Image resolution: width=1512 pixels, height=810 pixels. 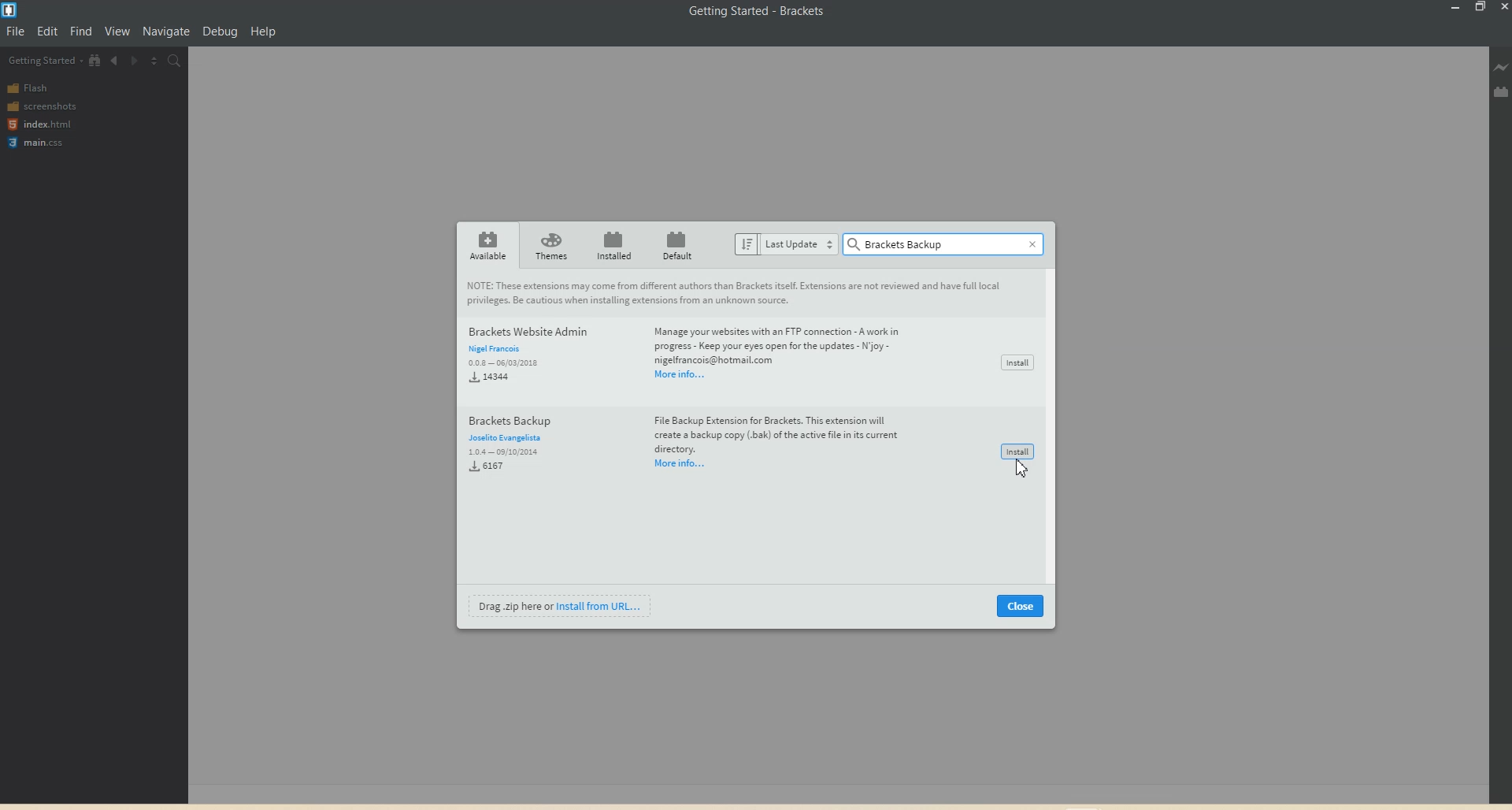 What do you see at coordinates (605, 605) in the screenshot?
I see `Install from URL...` at bounding box center [605, 605].